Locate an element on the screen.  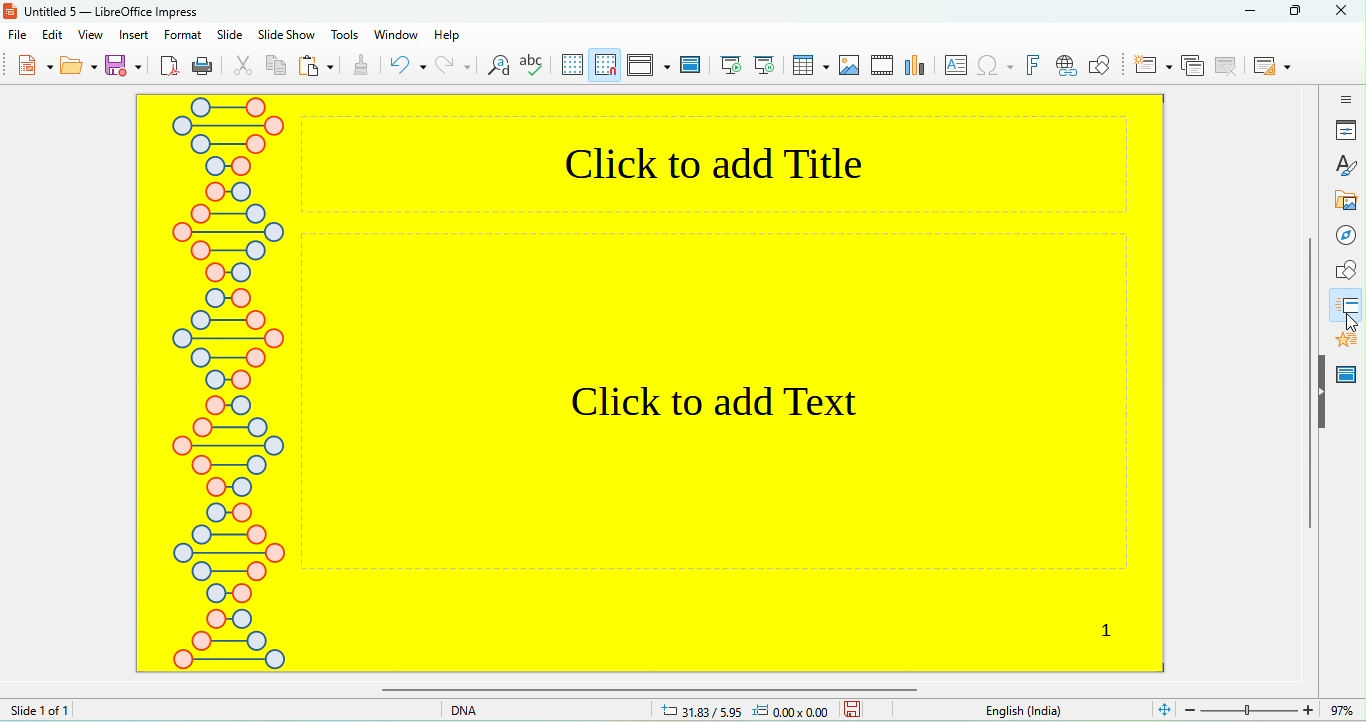
new slide is located at coordinates (1150, 68).